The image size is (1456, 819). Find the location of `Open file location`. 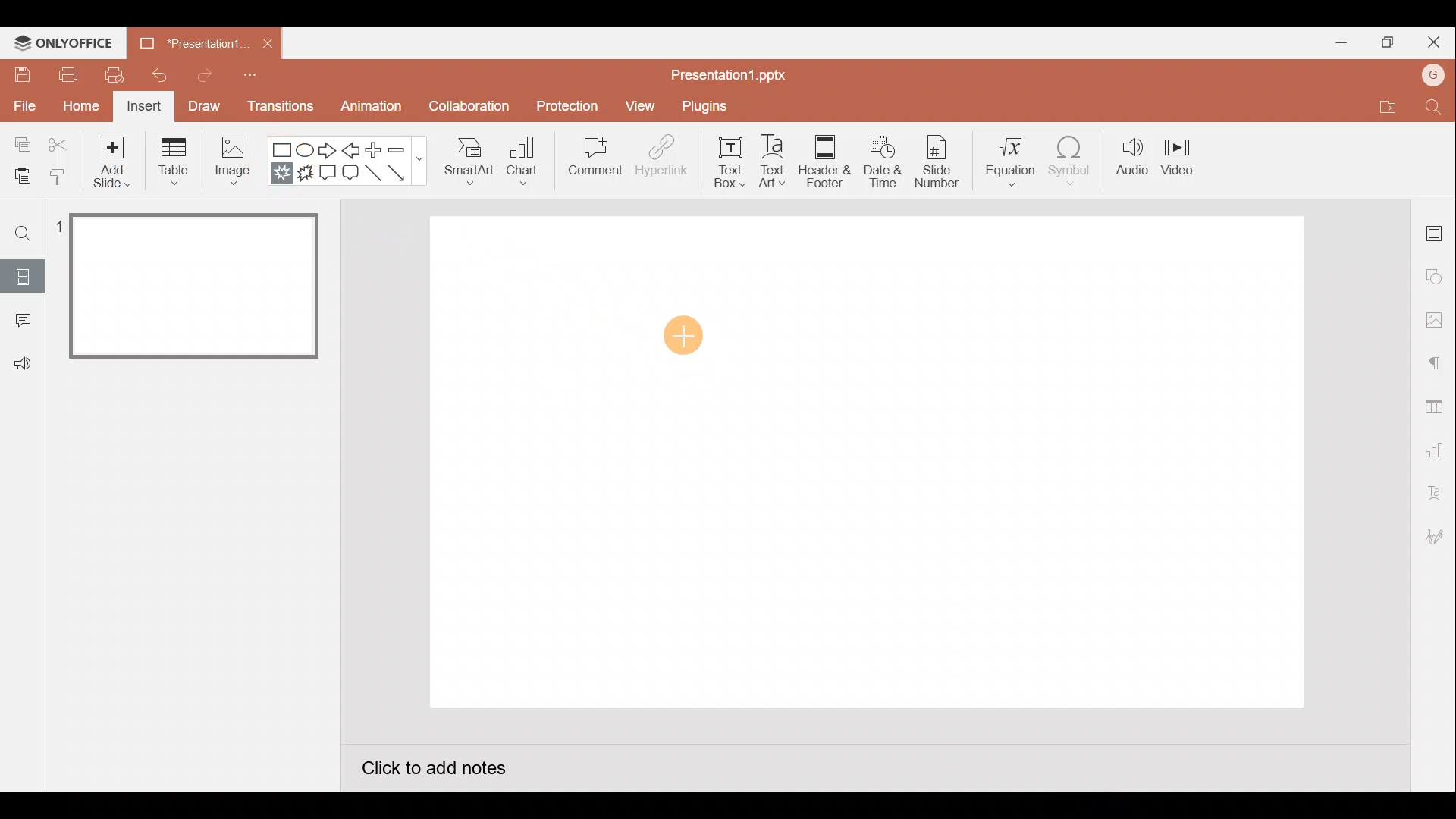

Open file location is located at coordinates (1382, 107).